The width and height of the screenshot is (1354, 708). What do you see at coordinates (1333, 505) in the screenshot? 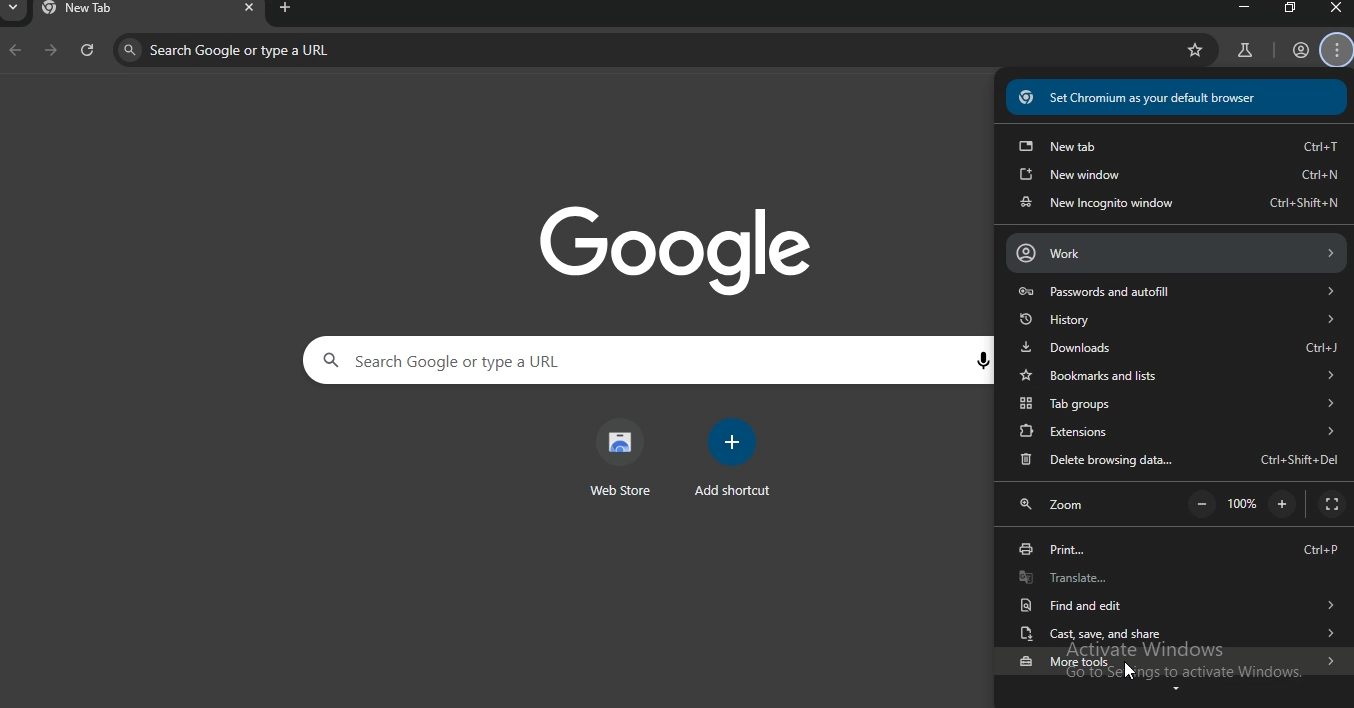
I see `display full-screen` at bounding box center [1333, 505].